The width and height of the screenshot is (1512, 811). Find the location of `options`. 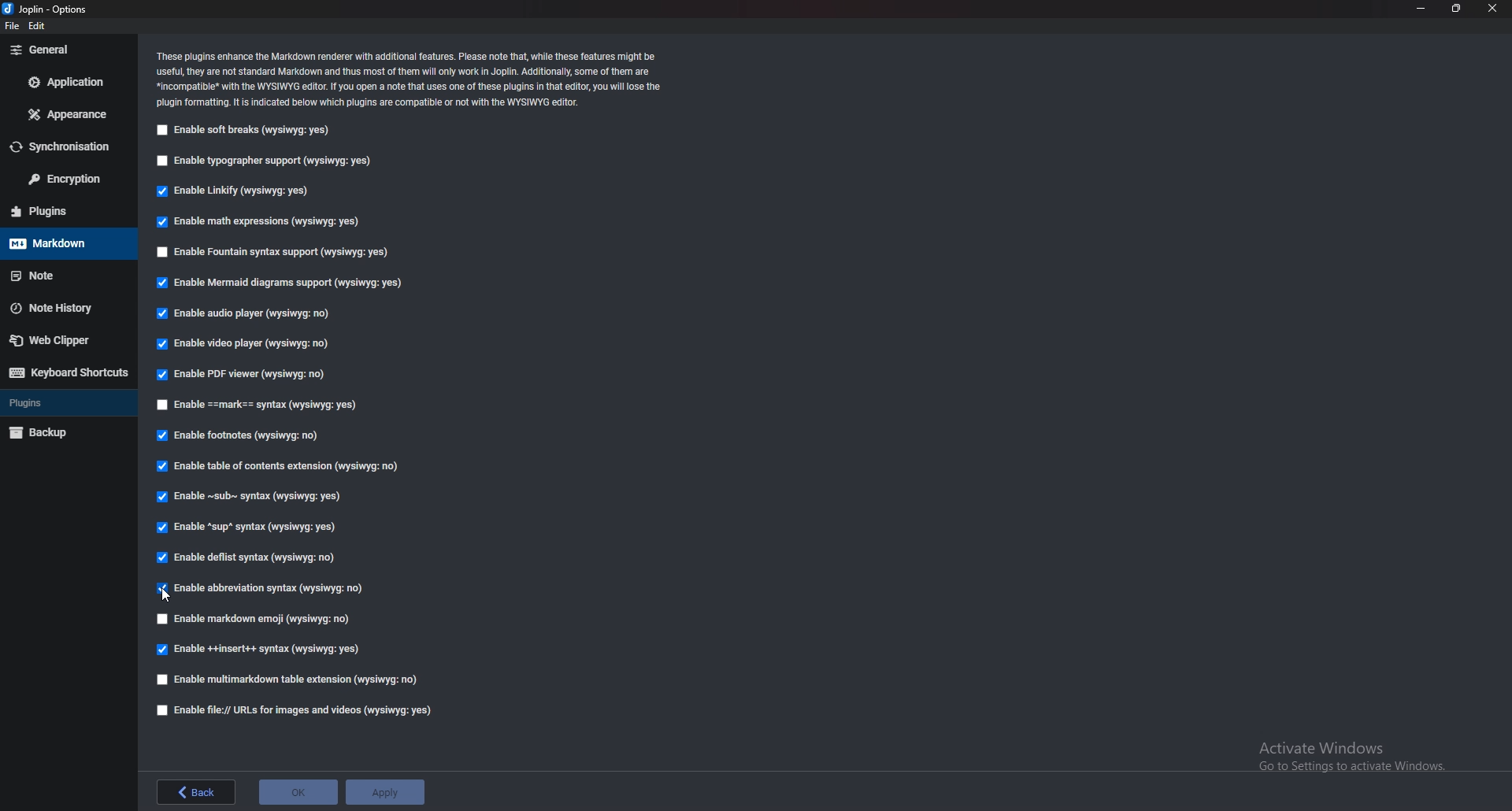

options is located at coordinates (49, 10).